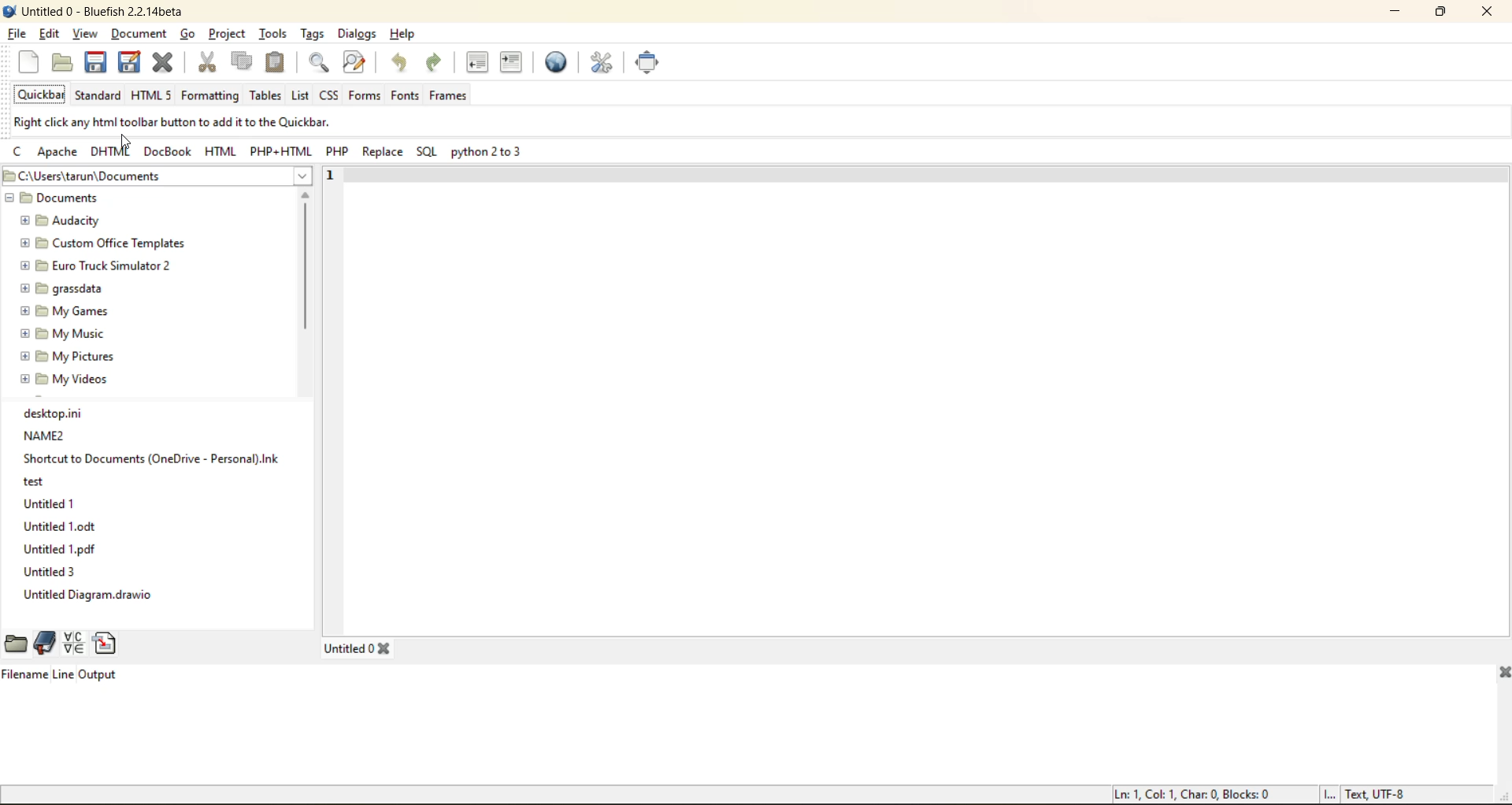  Describe the element at coordinates (73, 643) in the screenshot. I see `charmap` at that location.